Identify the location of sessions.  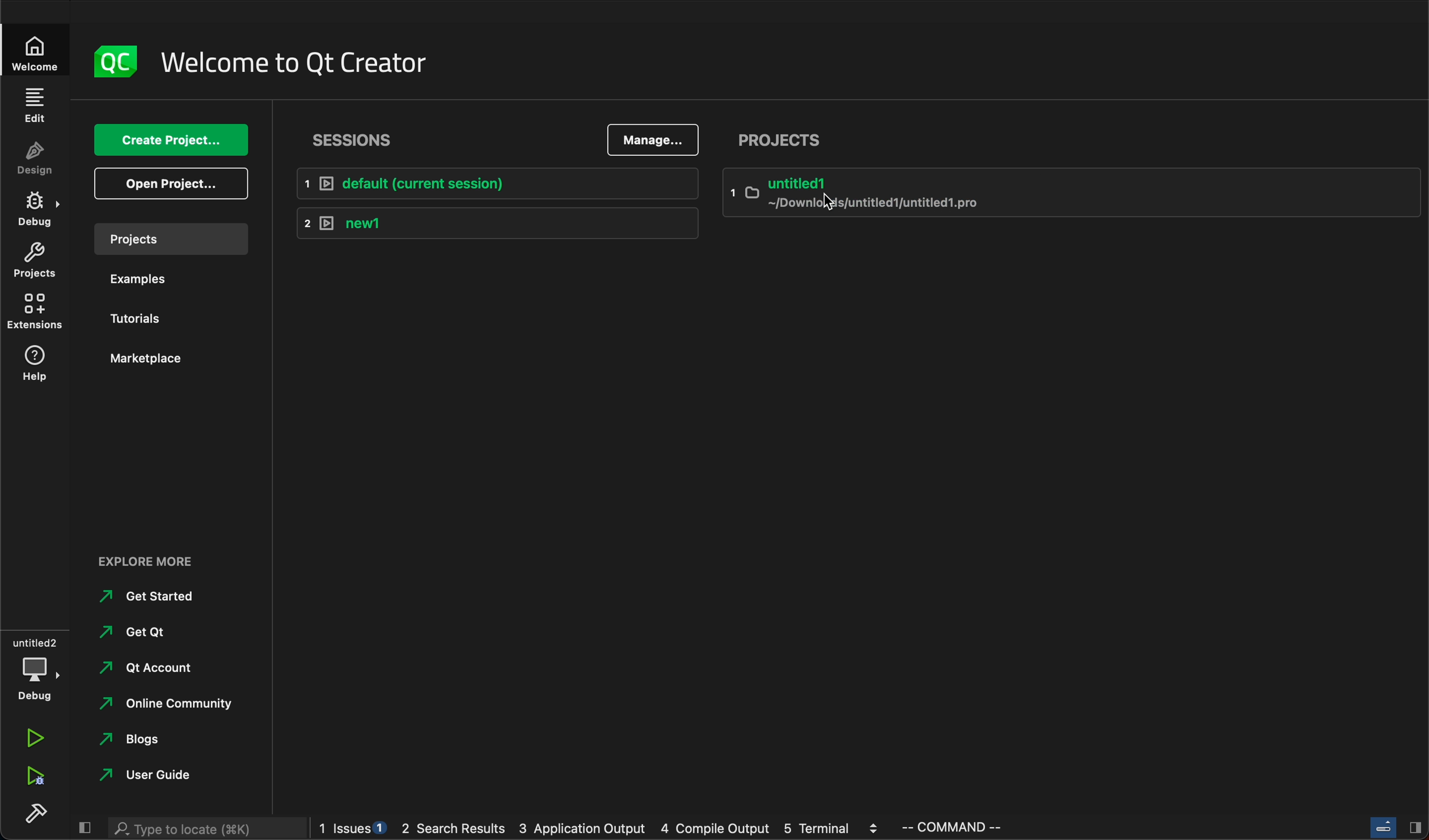
(380, 142).